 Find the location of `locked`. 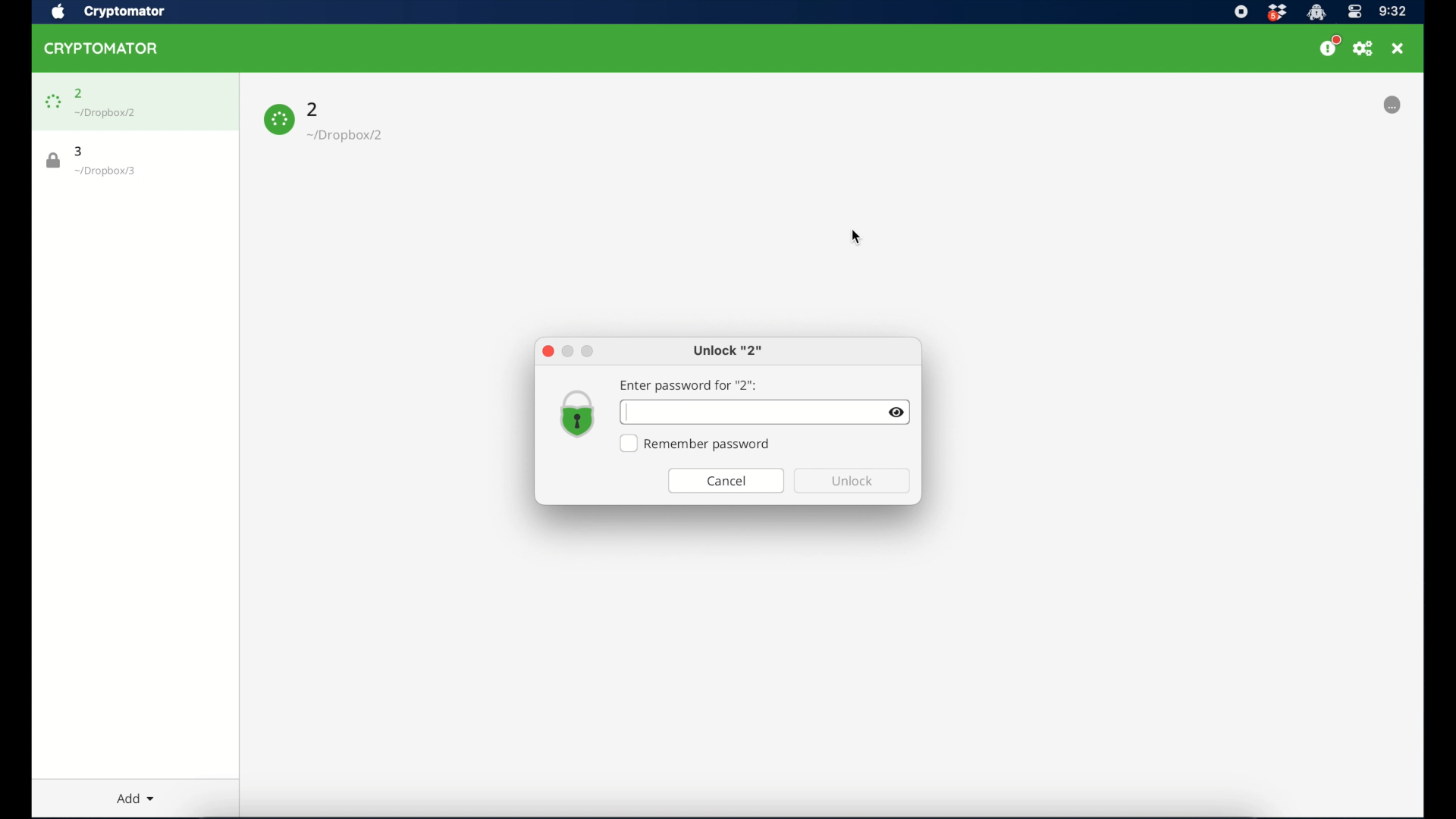

locked is located at coordinates (1376, 105).